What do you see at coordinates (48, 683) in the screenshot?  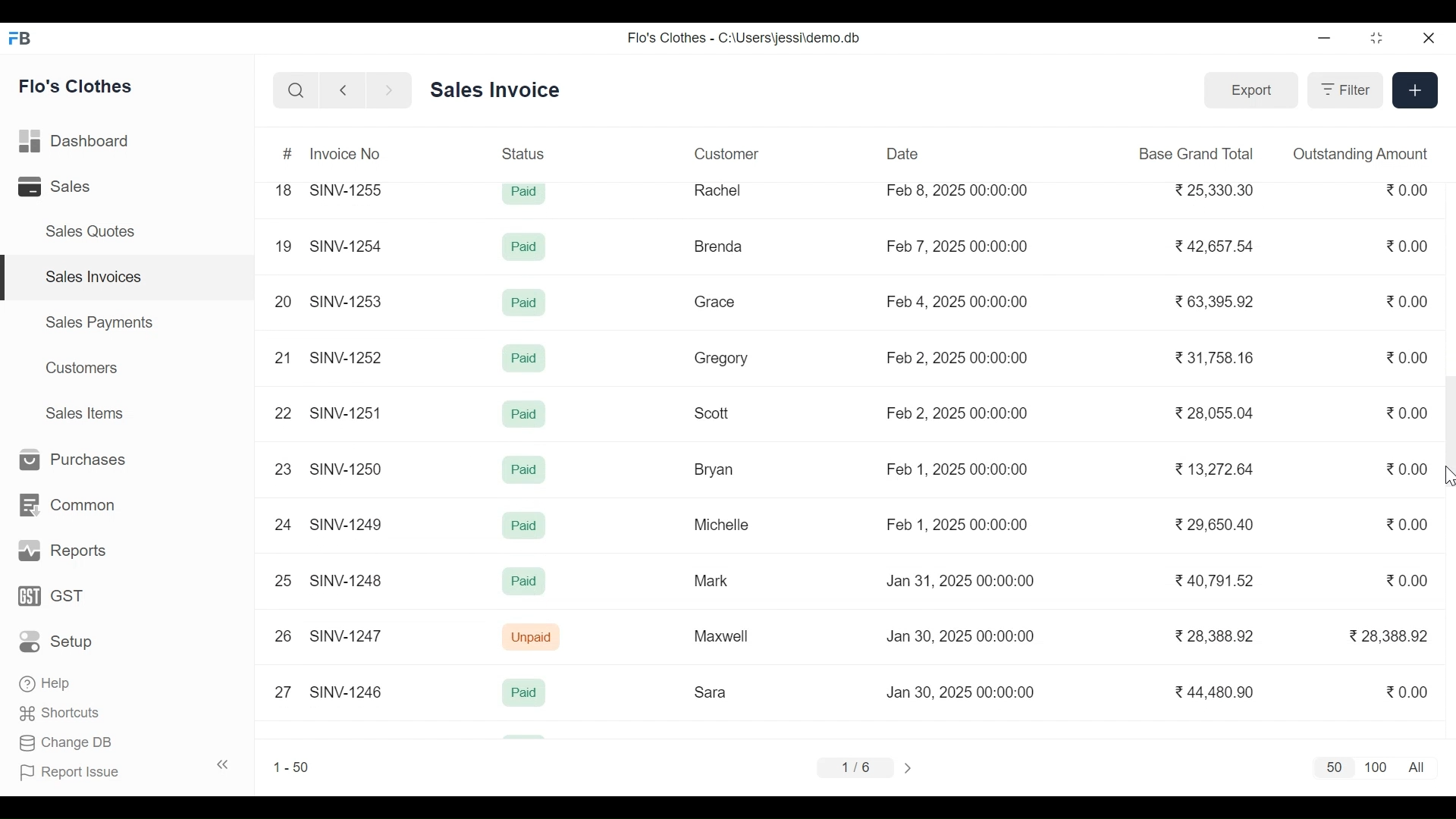 I see `‘Help` at bounding box center [48, 683].